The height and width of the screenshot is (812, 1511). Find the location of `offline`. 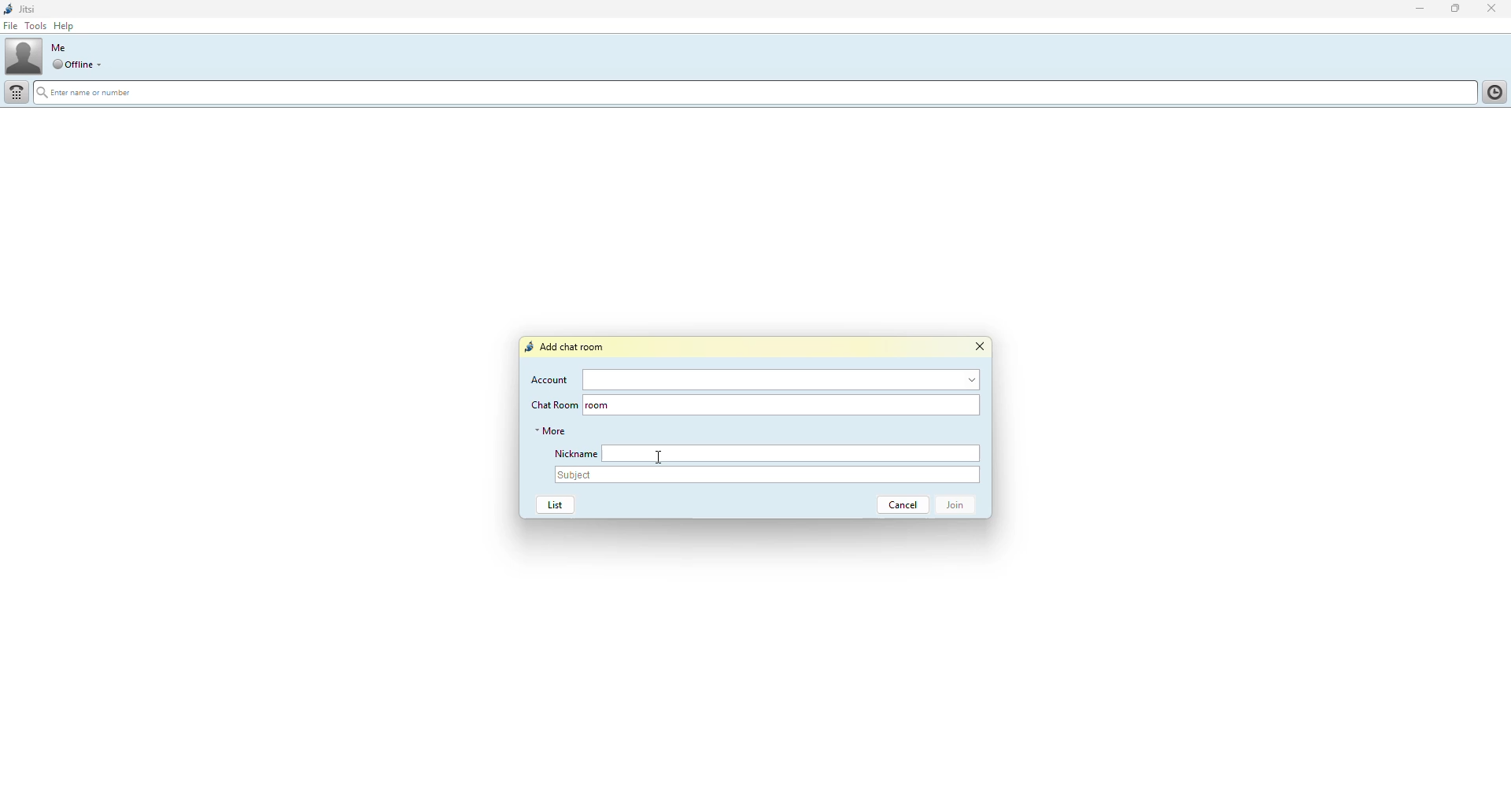

offline is located at coordinates (72, 65).